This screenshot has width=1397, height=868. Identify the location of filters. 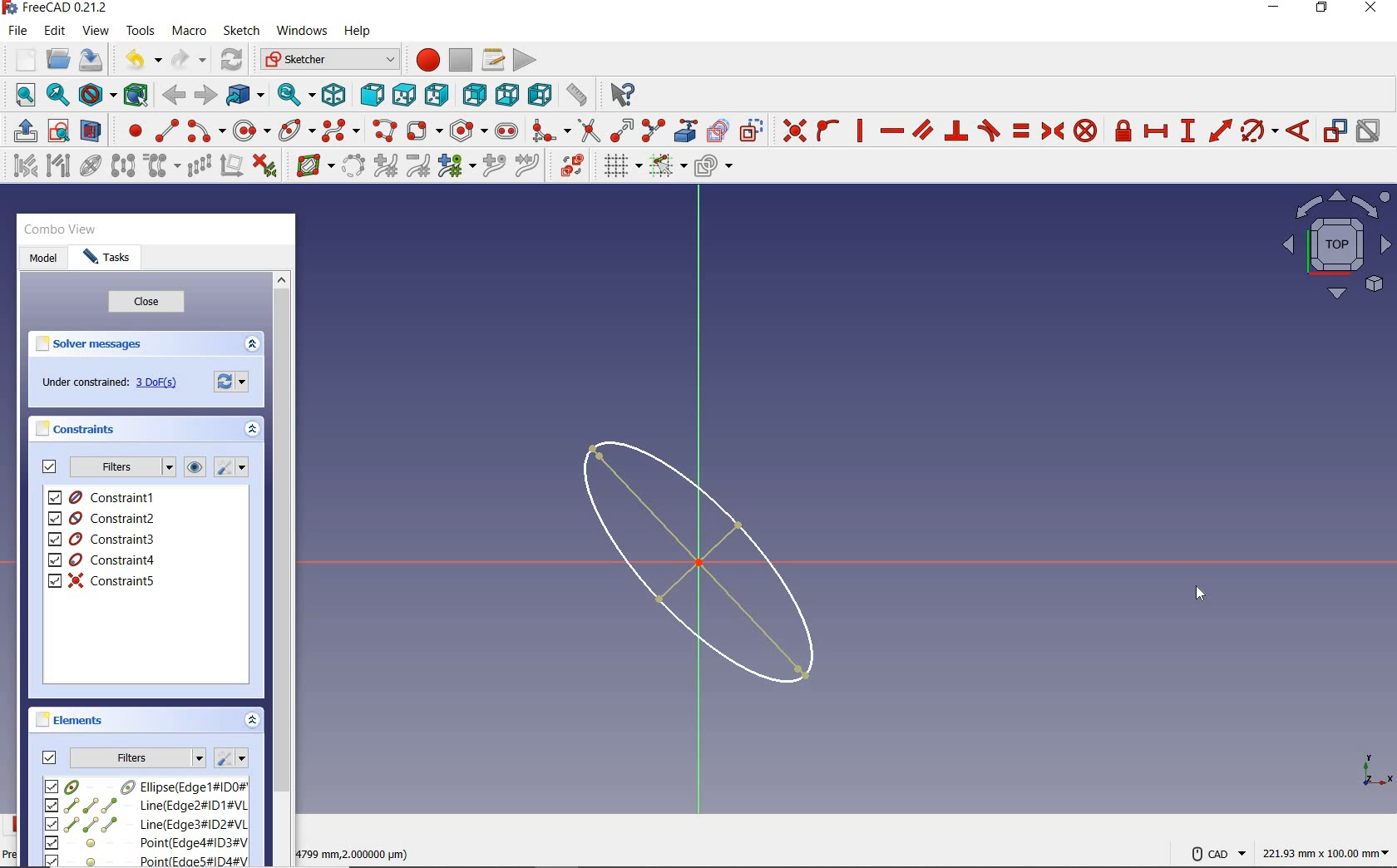
(121, 467).